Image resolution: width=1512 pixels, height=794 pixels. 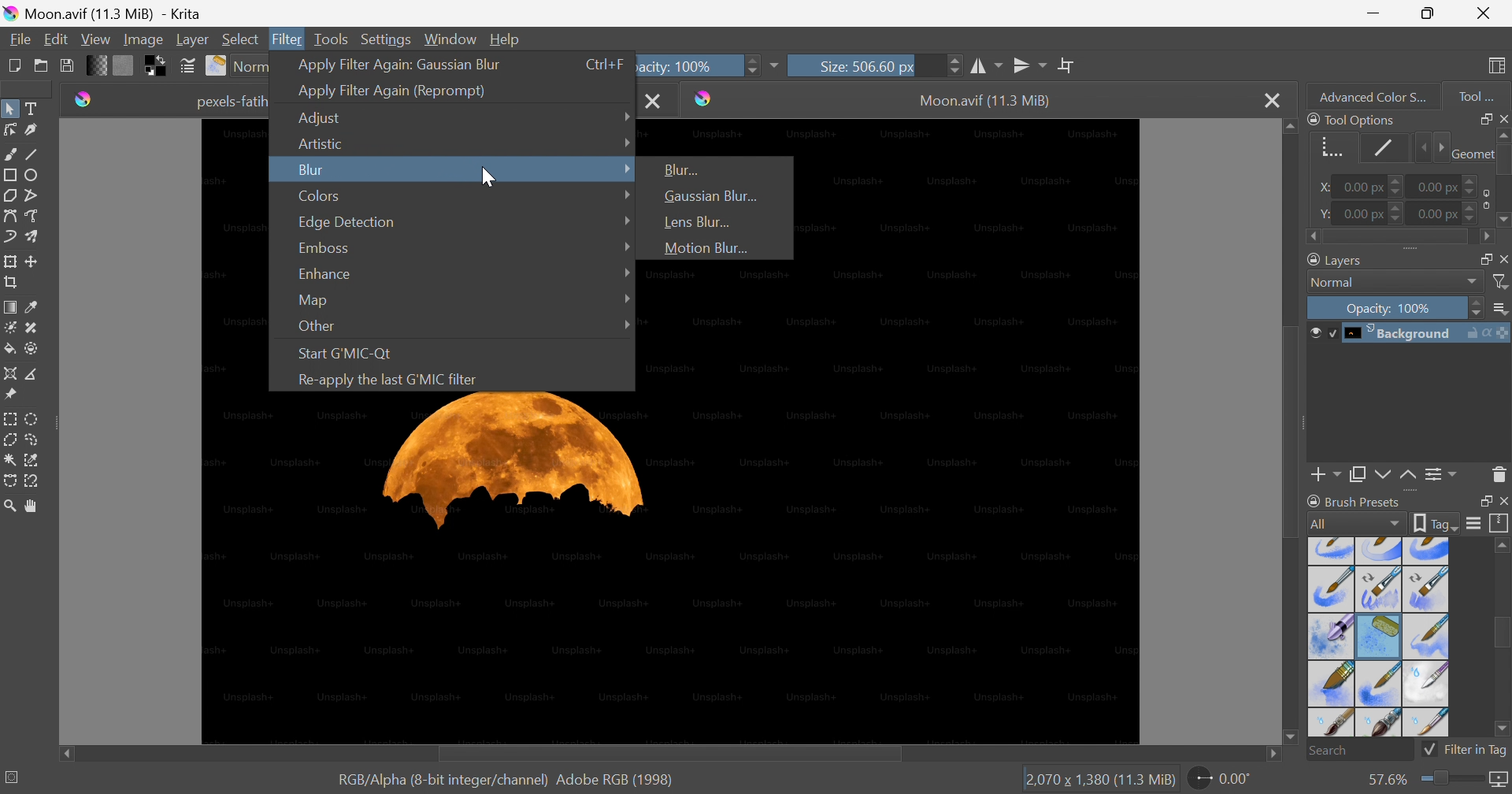 What do you see at coordinates (1377, 13) in the screenshot?
I see `` at bounding box center [1377, 13].